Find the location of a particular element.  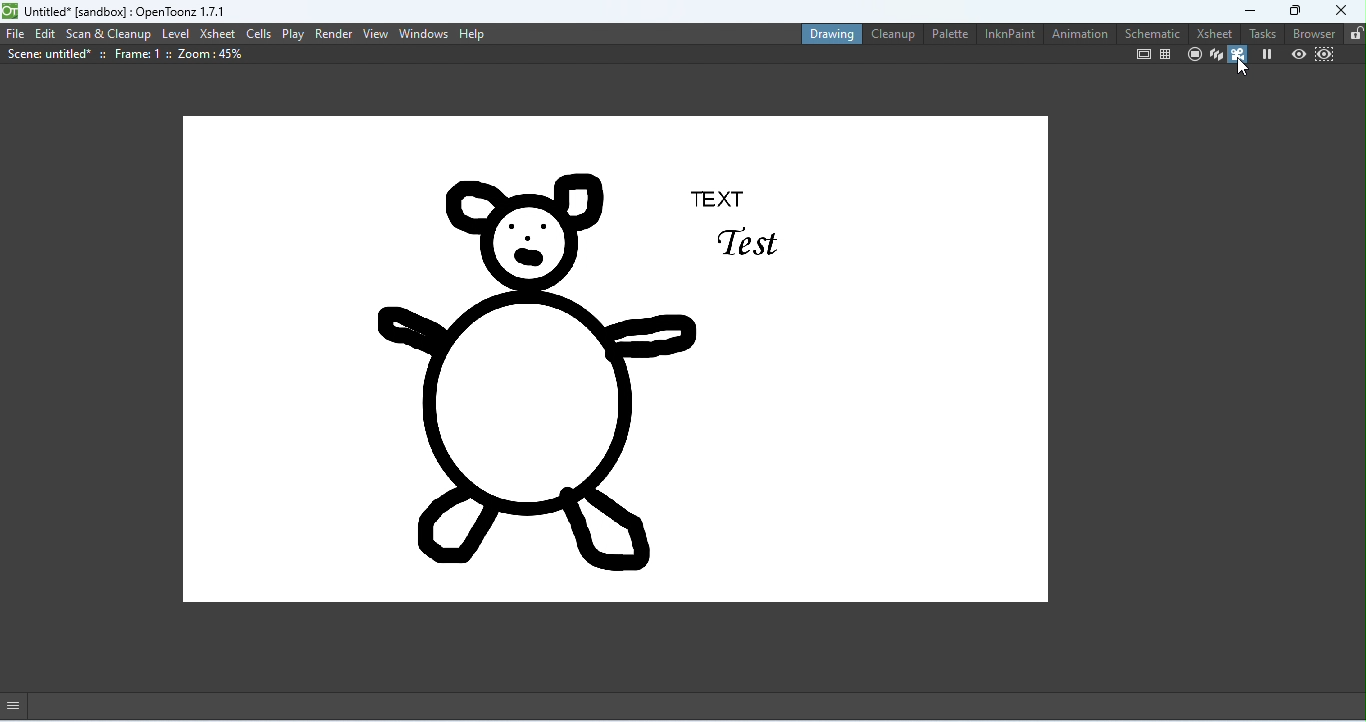

preview is located at coordinates (1297, 54).